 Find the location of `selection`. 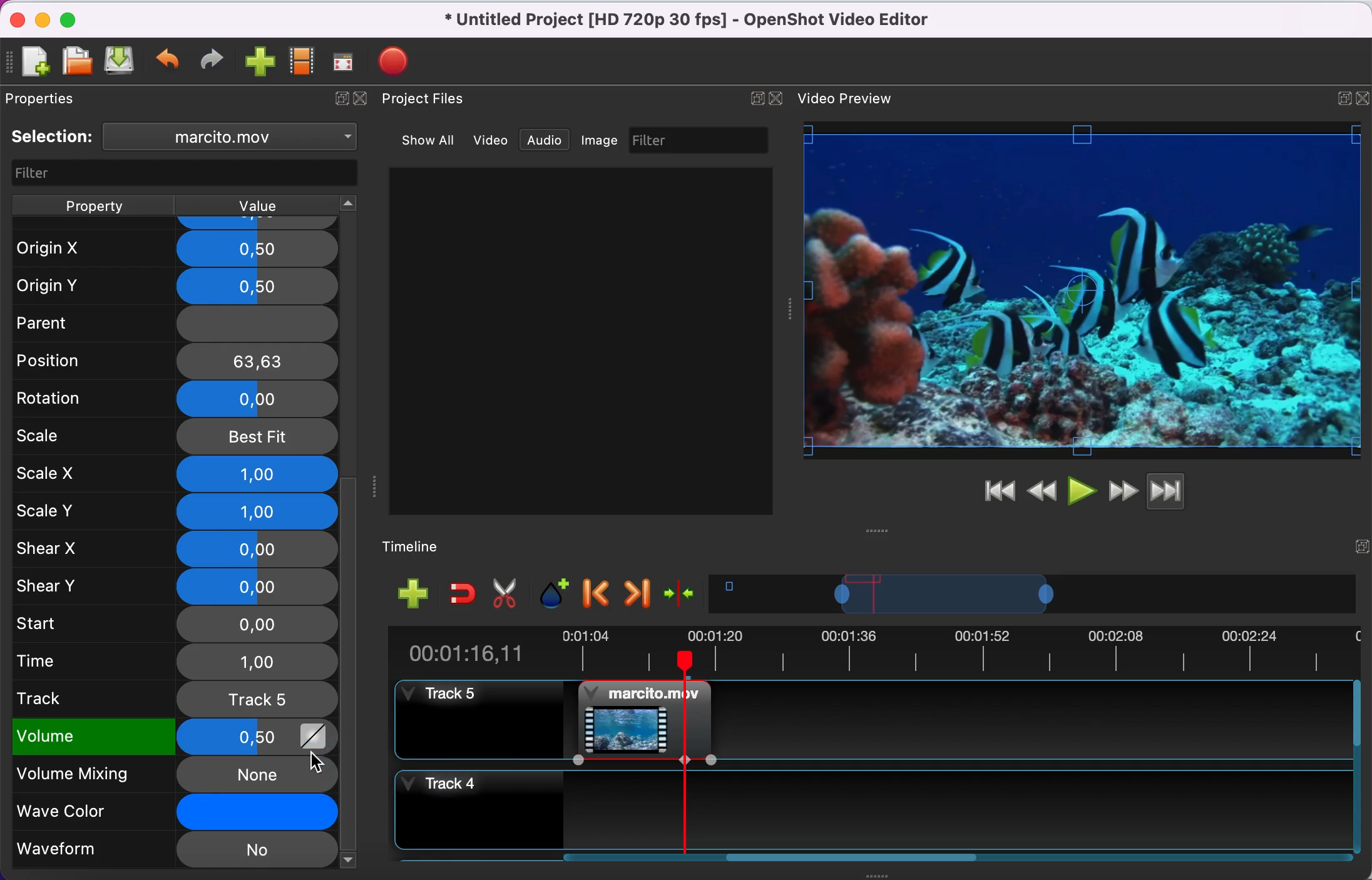

selection is located at coordinates (54, 137).